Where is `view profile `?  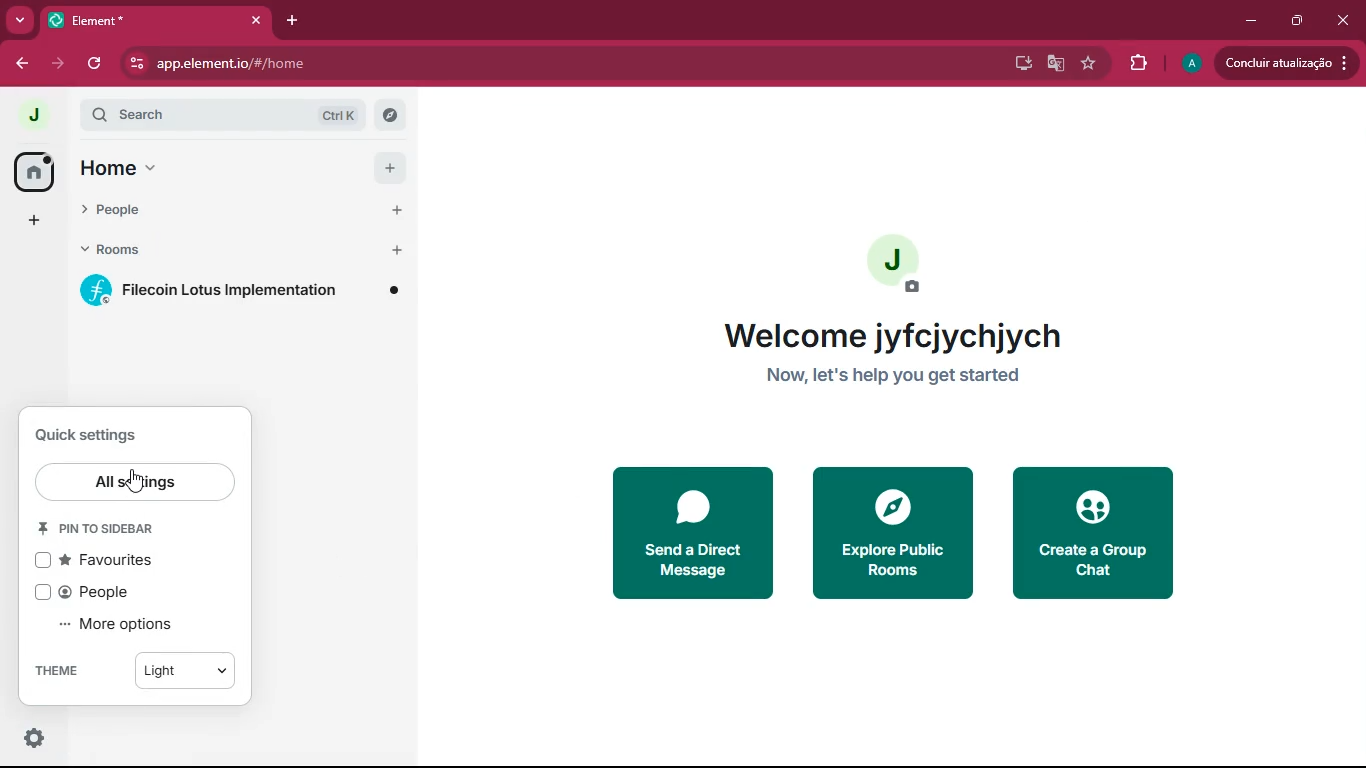
view profile  is located at coordinates (27, 115).